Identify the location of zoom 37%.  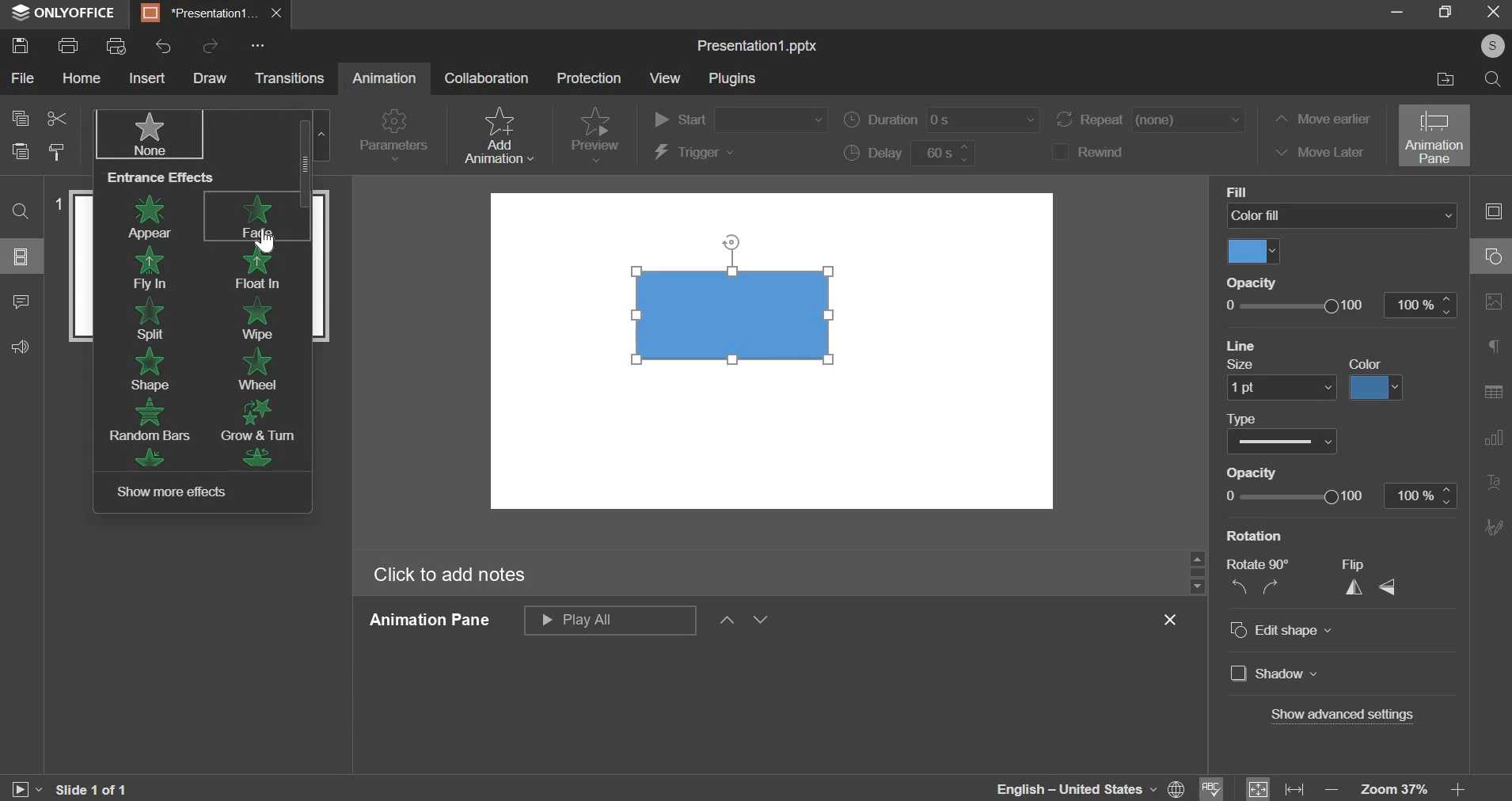
(1395, 790).